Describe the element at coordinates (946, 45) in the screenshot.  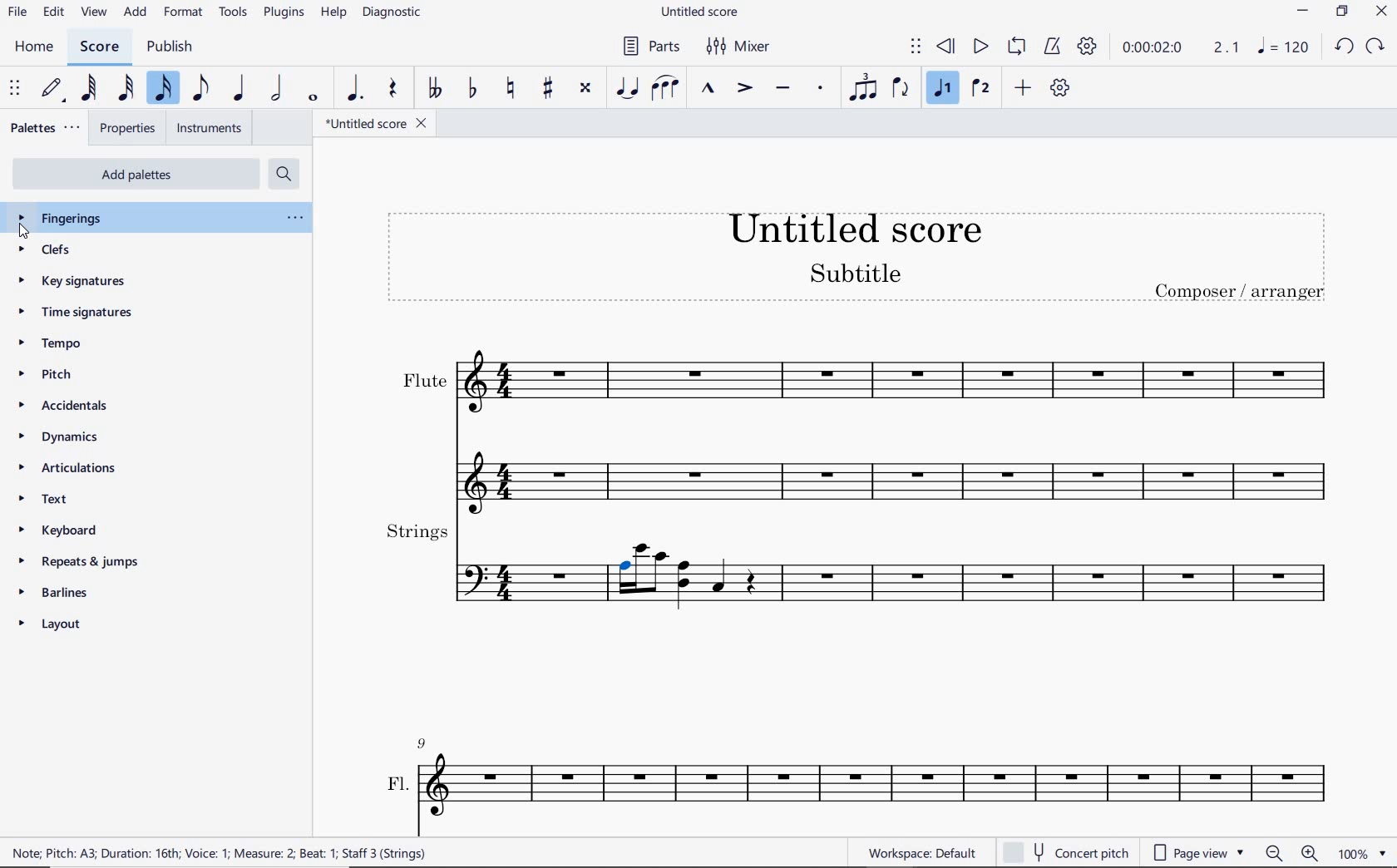
I see `rewind` at that location.